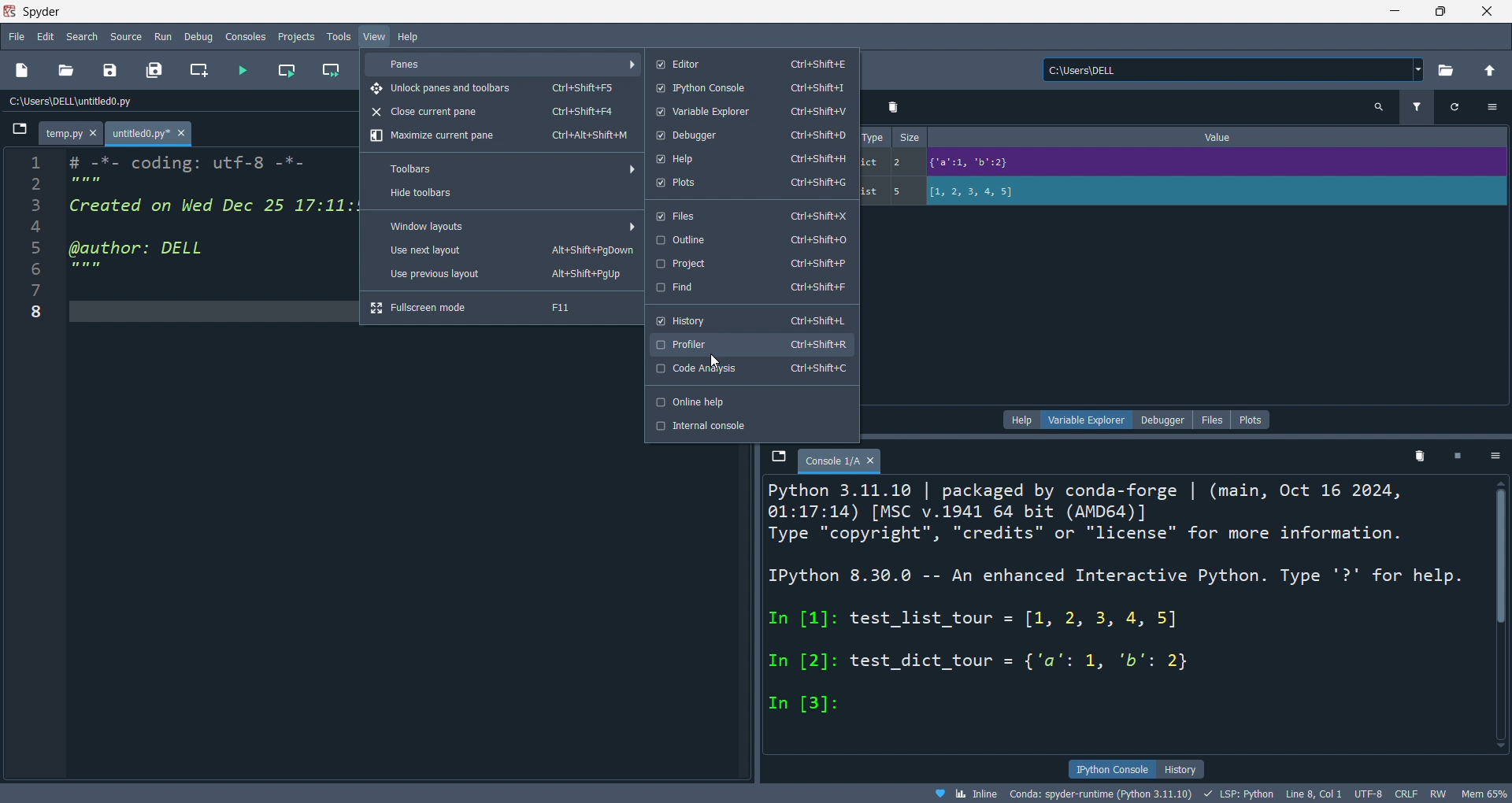  Describe the element at coordinates (1085, 420) in the screenshot. I see `variable explorer` at that location.